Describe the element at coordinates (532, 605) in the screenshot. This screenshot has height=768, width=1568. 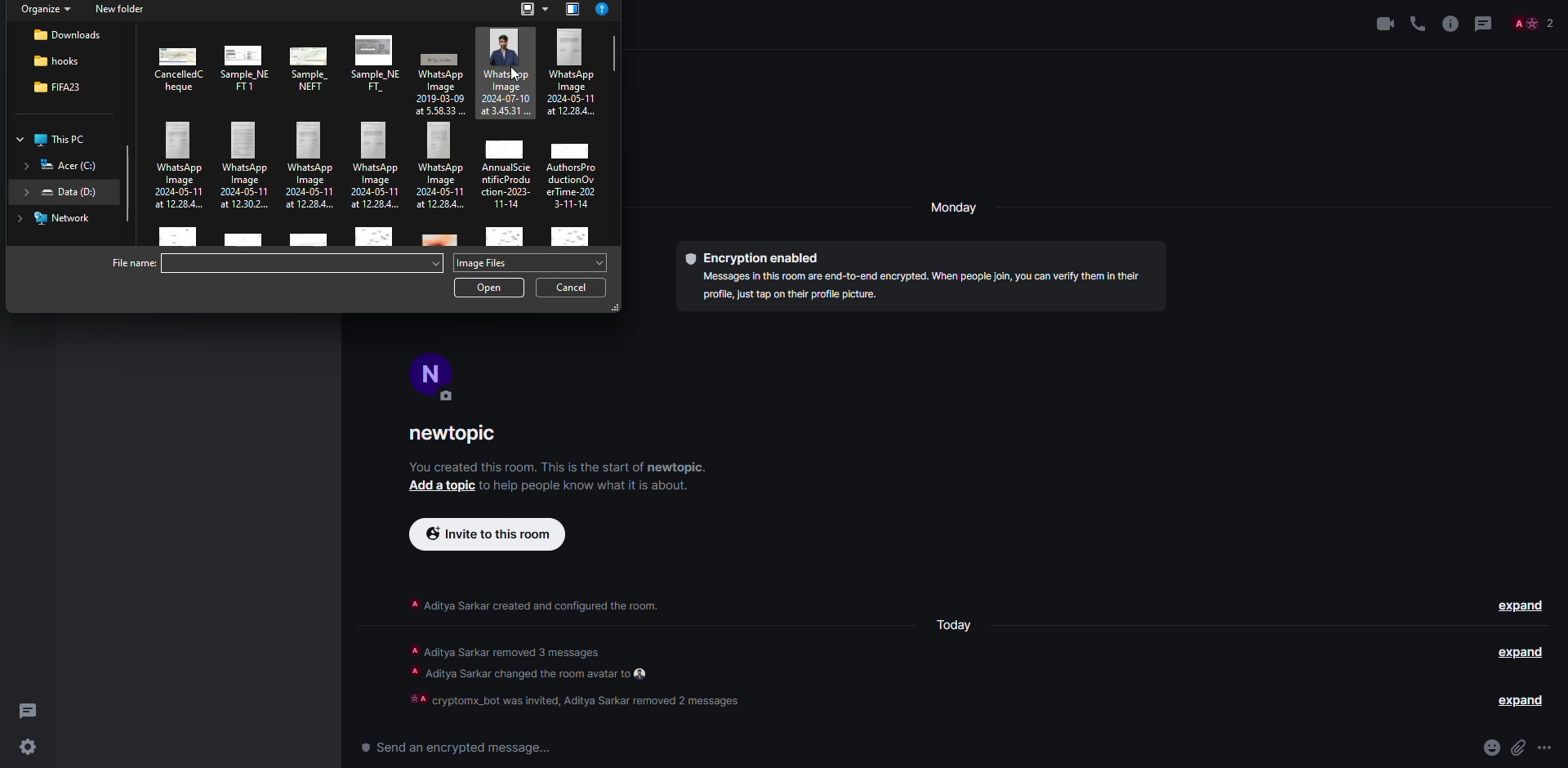
I see `info` at that location.